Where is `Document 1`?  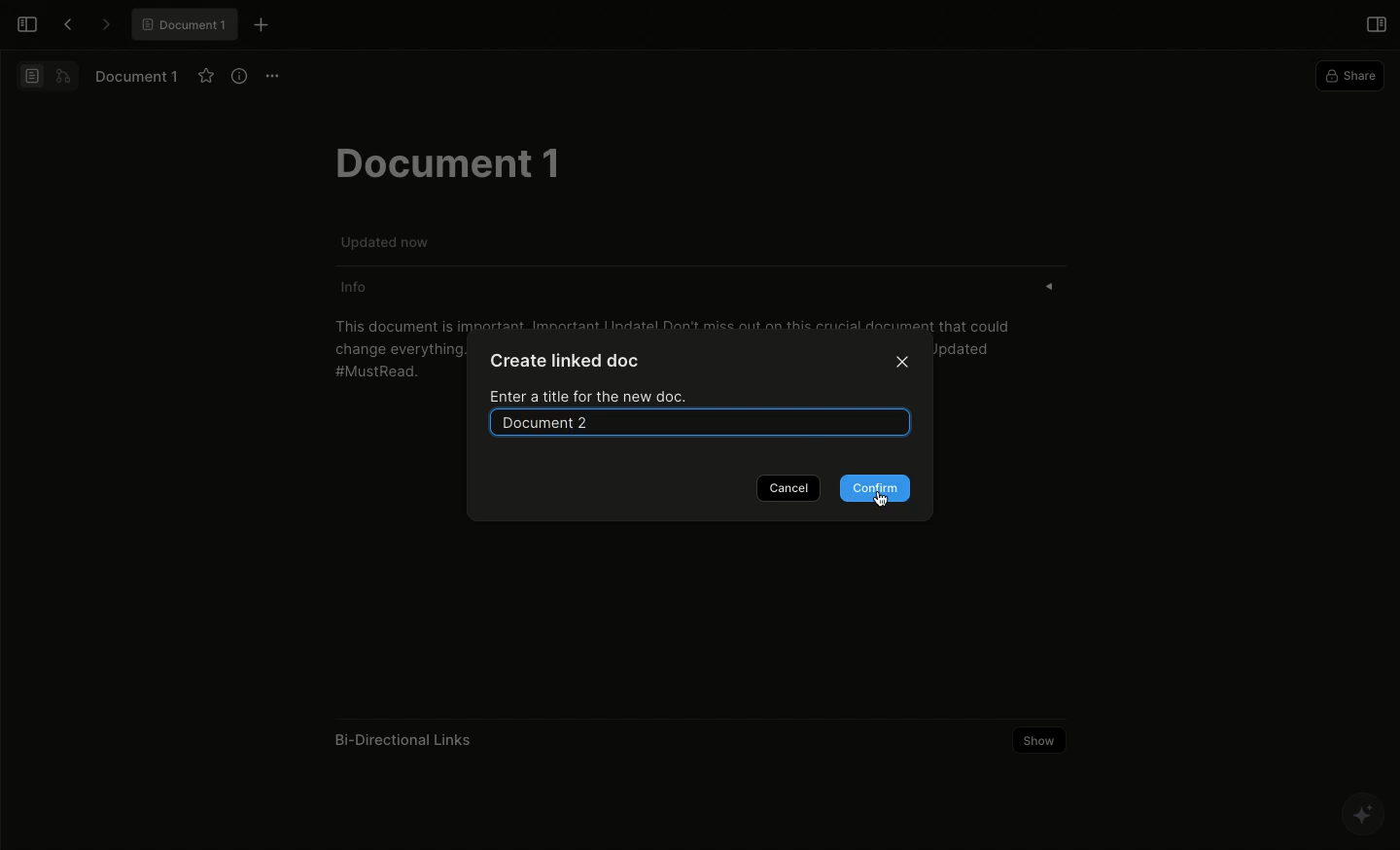
Document 1 is located at coordinates (445, 161).